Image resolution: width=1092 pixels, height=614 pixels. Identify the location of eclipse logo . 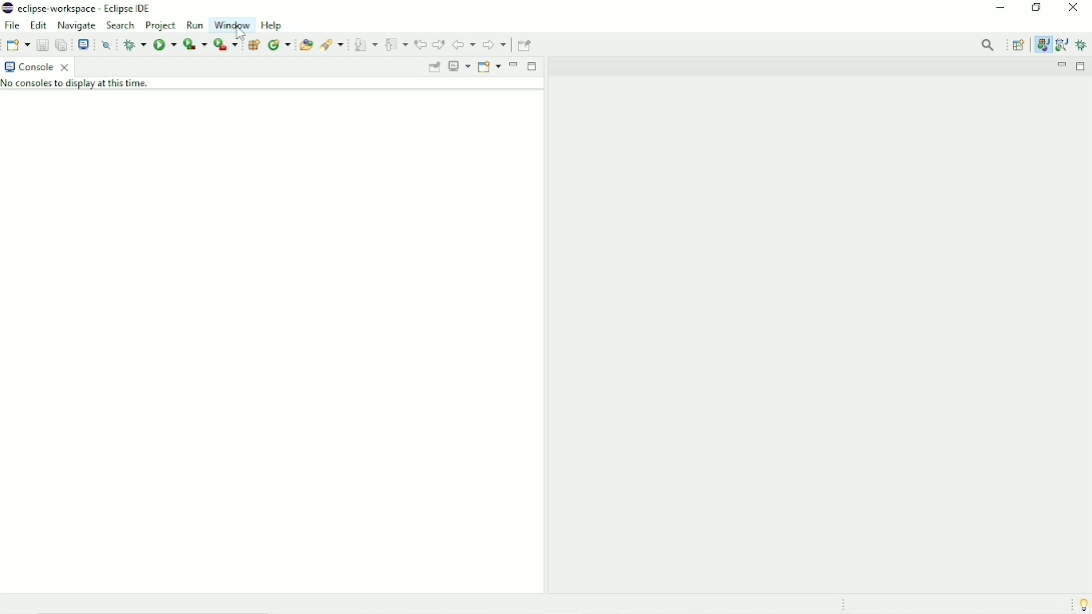
(7, 8).